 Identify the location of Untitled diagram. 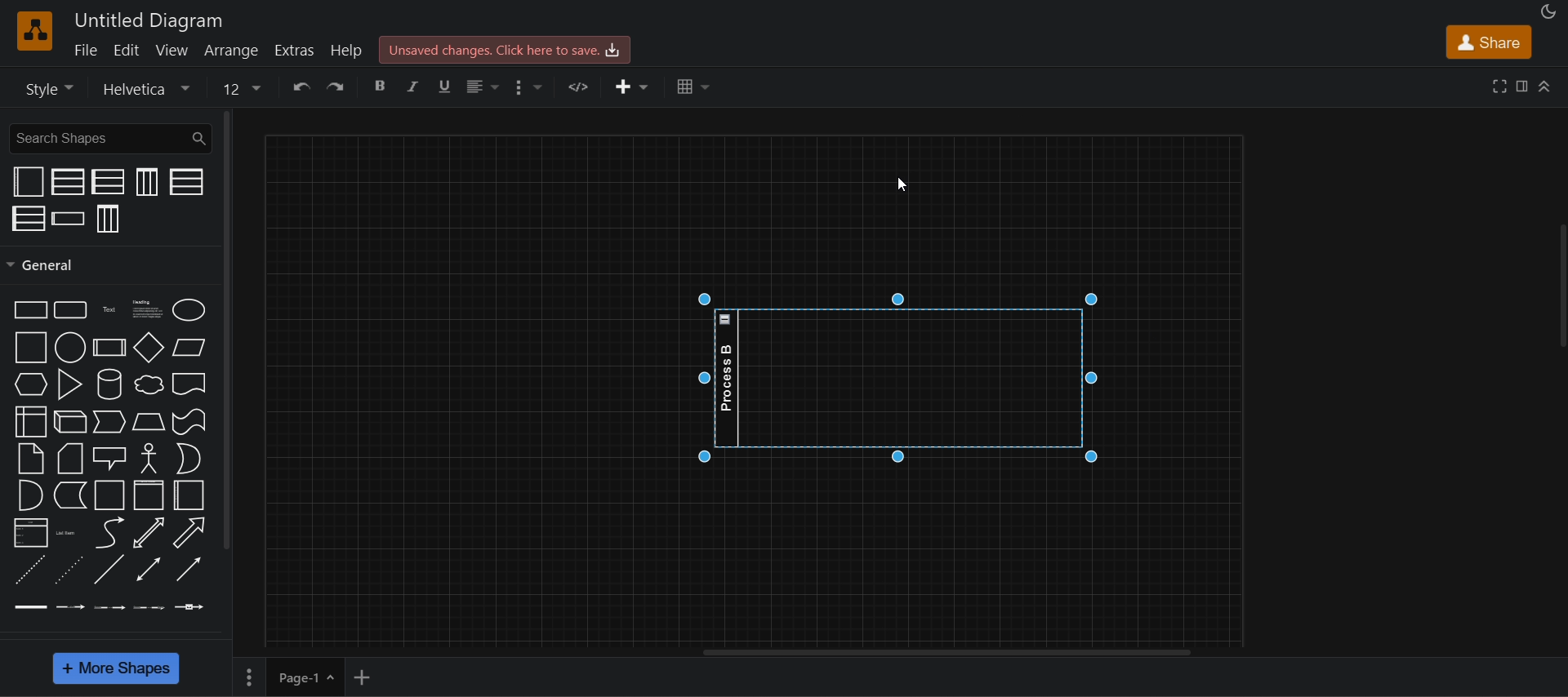
(149, 20).